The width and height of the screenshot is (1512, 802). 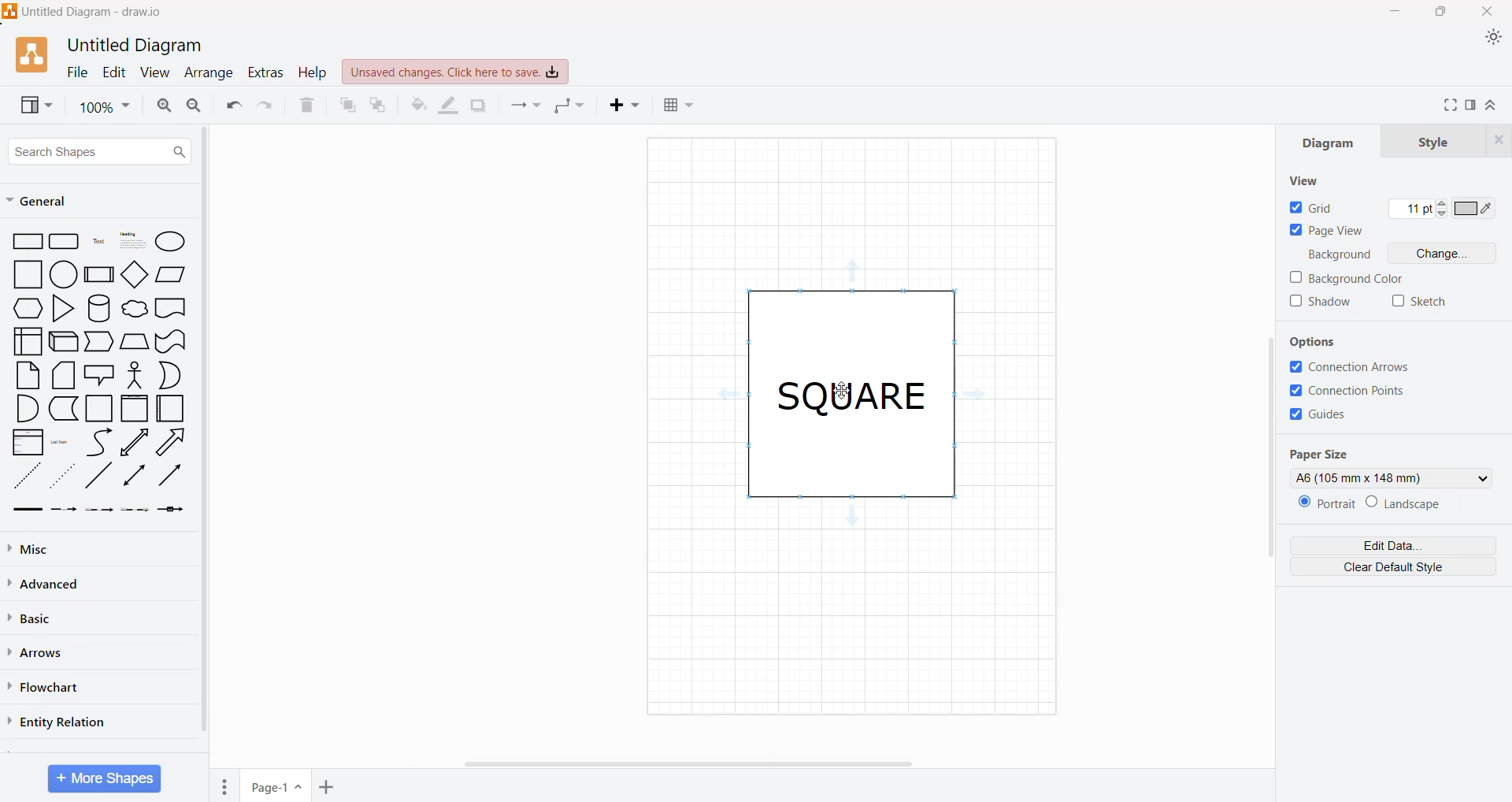 I want to click on document, so click(x=171, y=307).